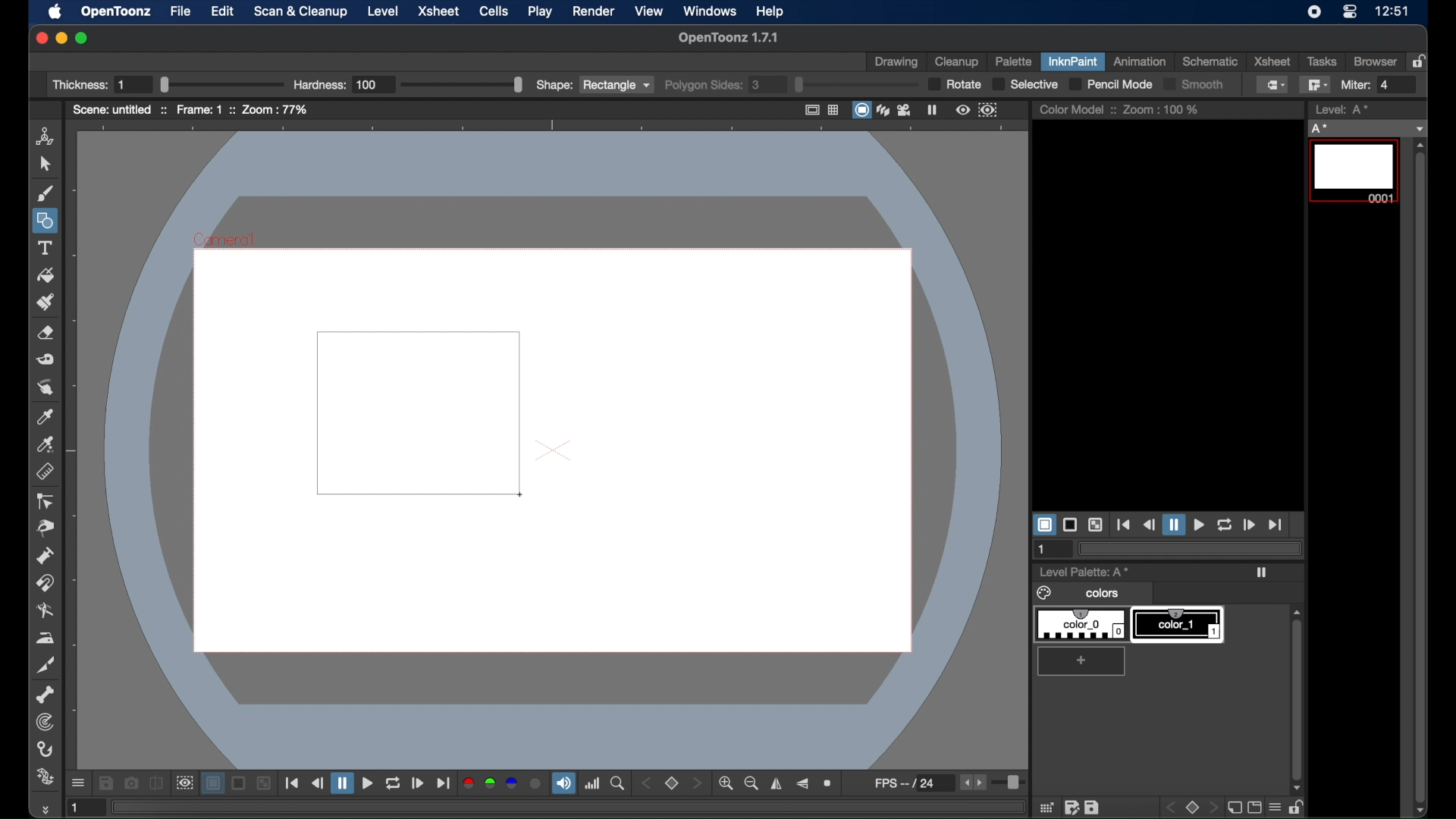 The width and height of the screenshot is (1456, 819). I want to click on menu, so click(1274, 807).